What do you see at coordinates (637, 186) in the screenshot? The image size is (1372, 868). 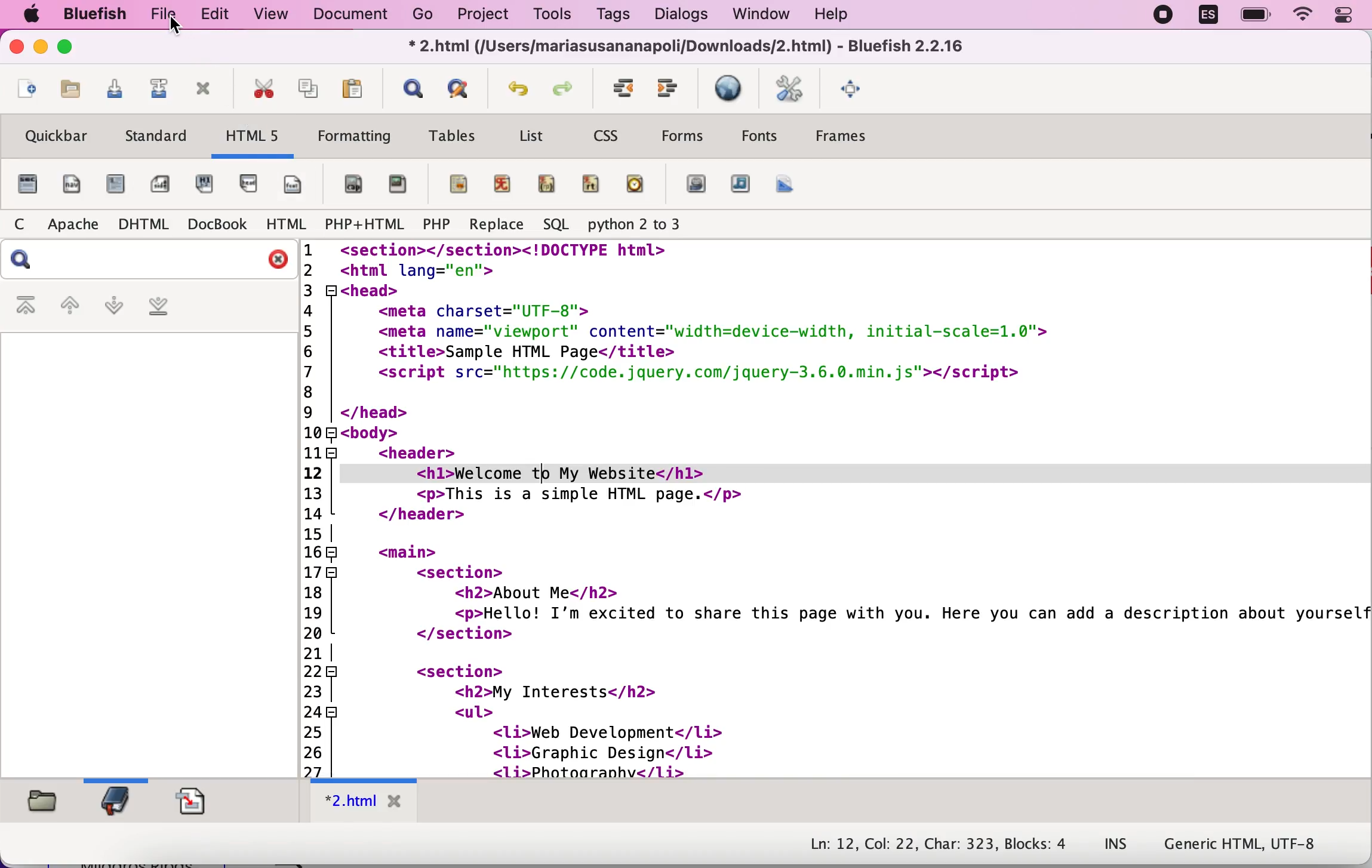 I see `time` at bounding box center [637, 186].